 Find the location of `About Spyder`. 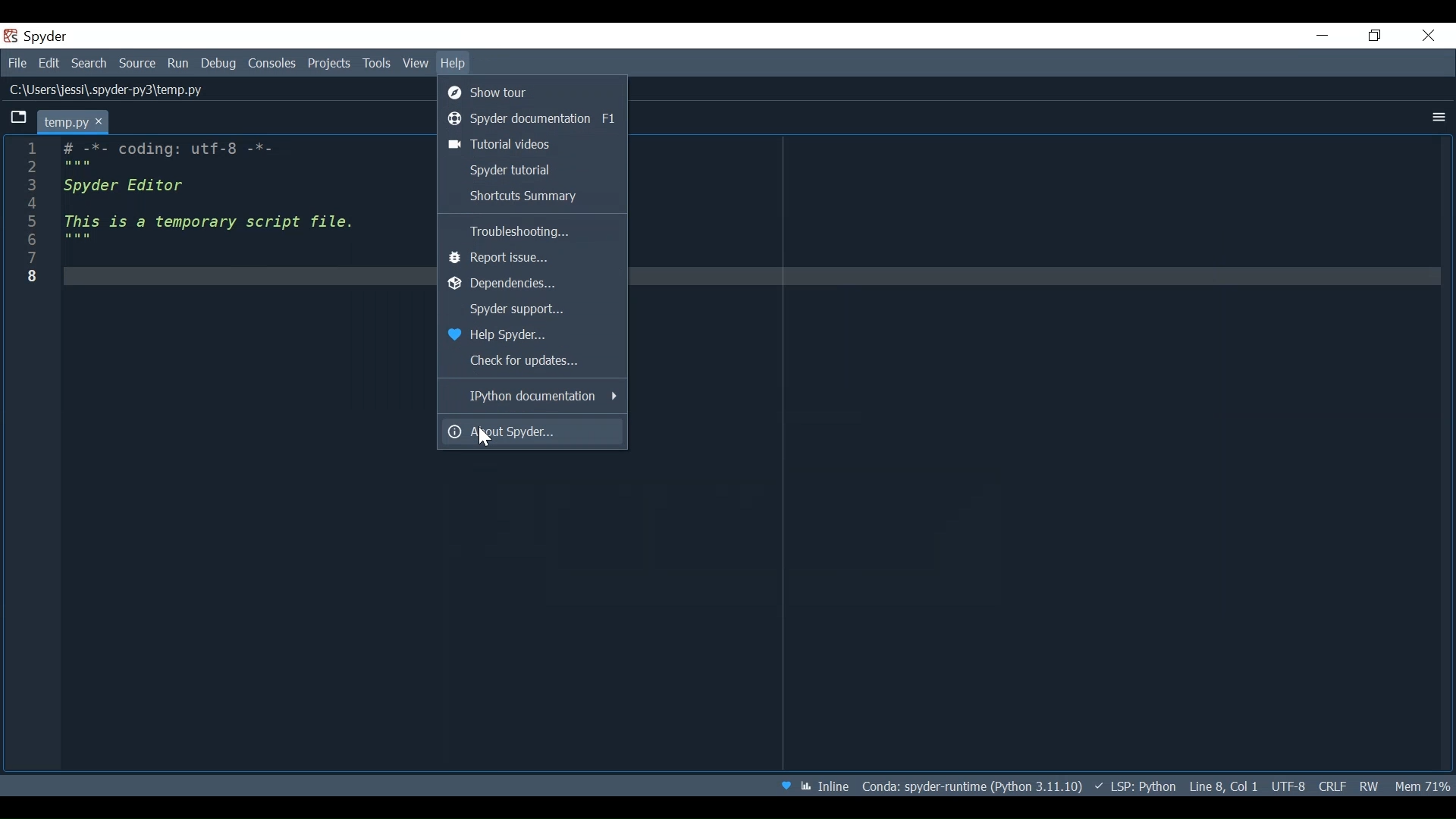

About Spyder is located at coordinates (533, 432).